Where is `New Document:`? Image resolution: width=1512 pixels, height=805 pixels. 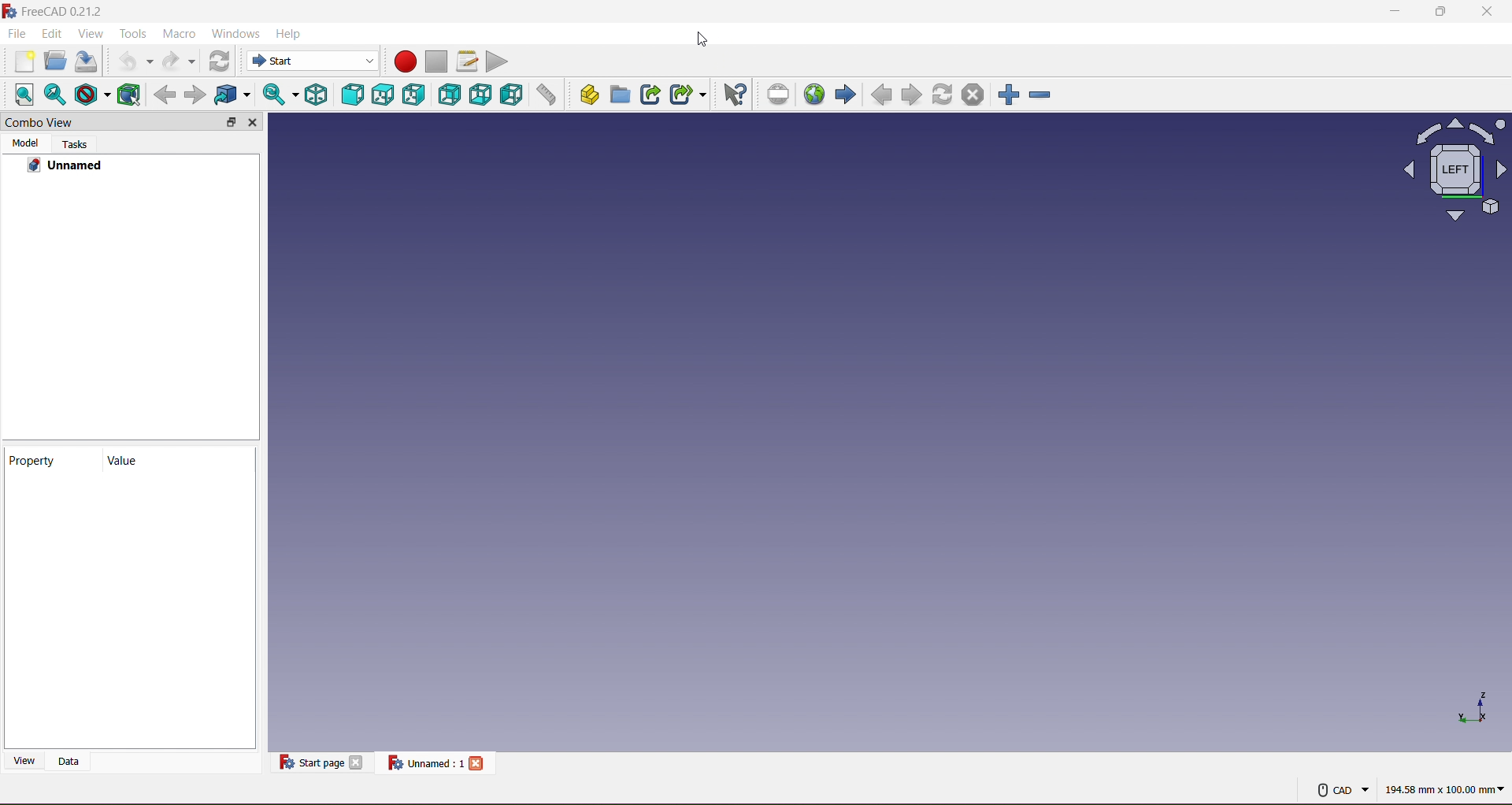 New Document: is located at coordinates (25, 62).